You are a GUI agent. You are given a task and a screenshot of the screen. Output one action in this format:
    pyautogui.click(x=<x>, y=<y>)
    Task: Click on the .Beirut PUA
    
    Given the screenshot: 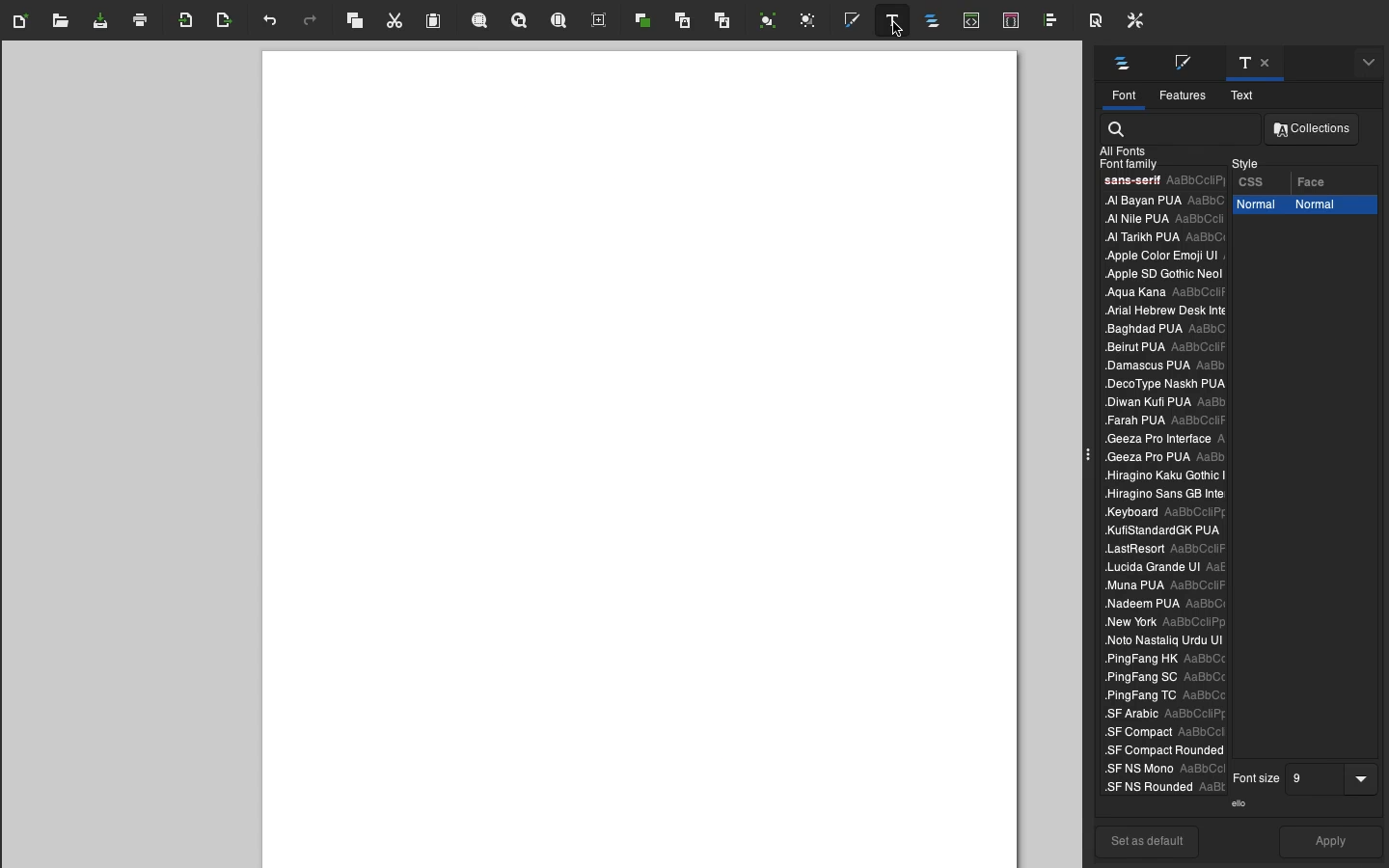 What is the action you would take?
    pyautogui.click(x=1166, y=348)
    